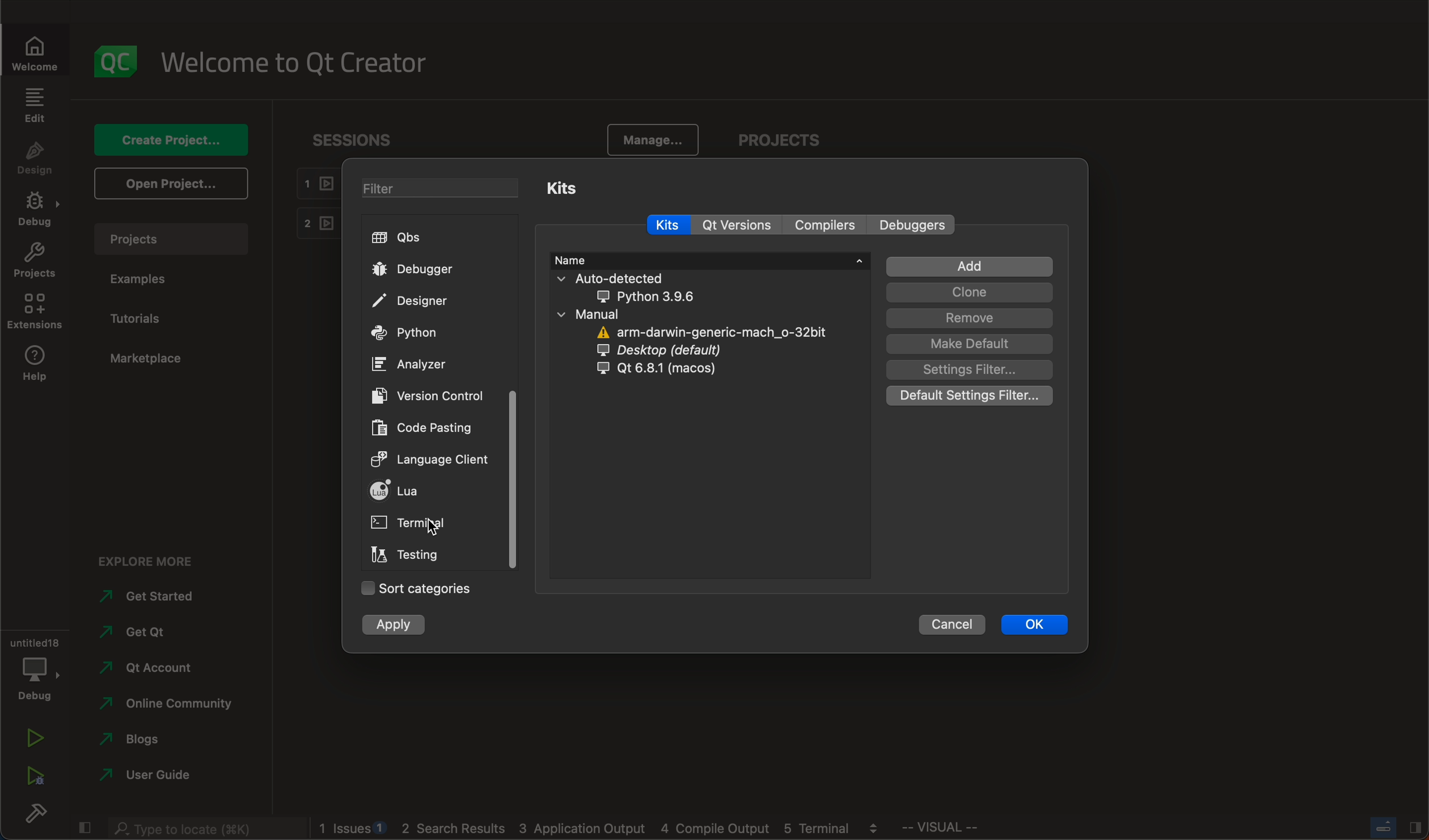  Describe the element at coordinates (671, 226) in the screenshot. I see `kits` at that location.